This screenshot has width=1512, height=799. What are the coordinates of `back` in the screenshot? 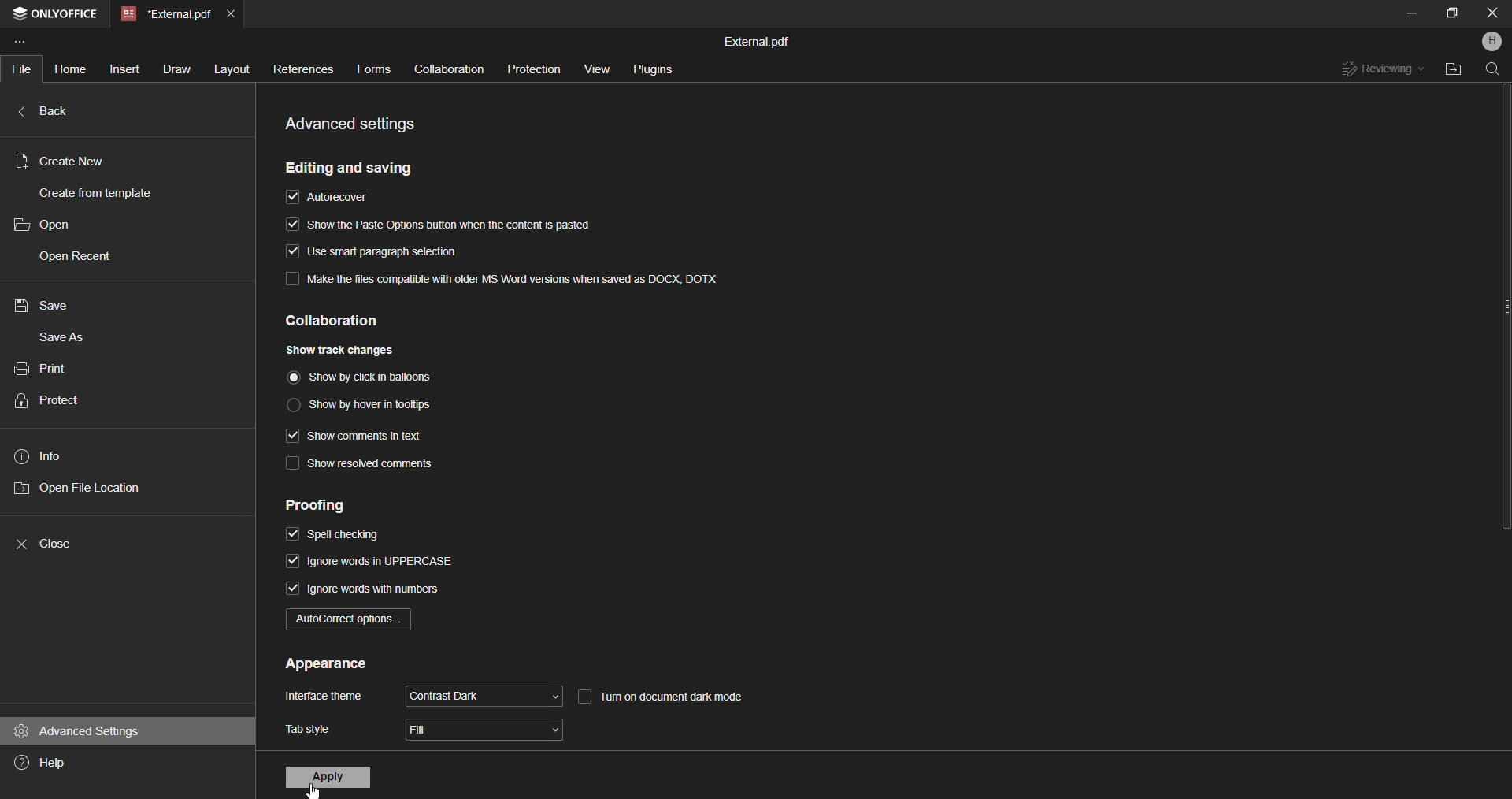 It's located at (61, 113).